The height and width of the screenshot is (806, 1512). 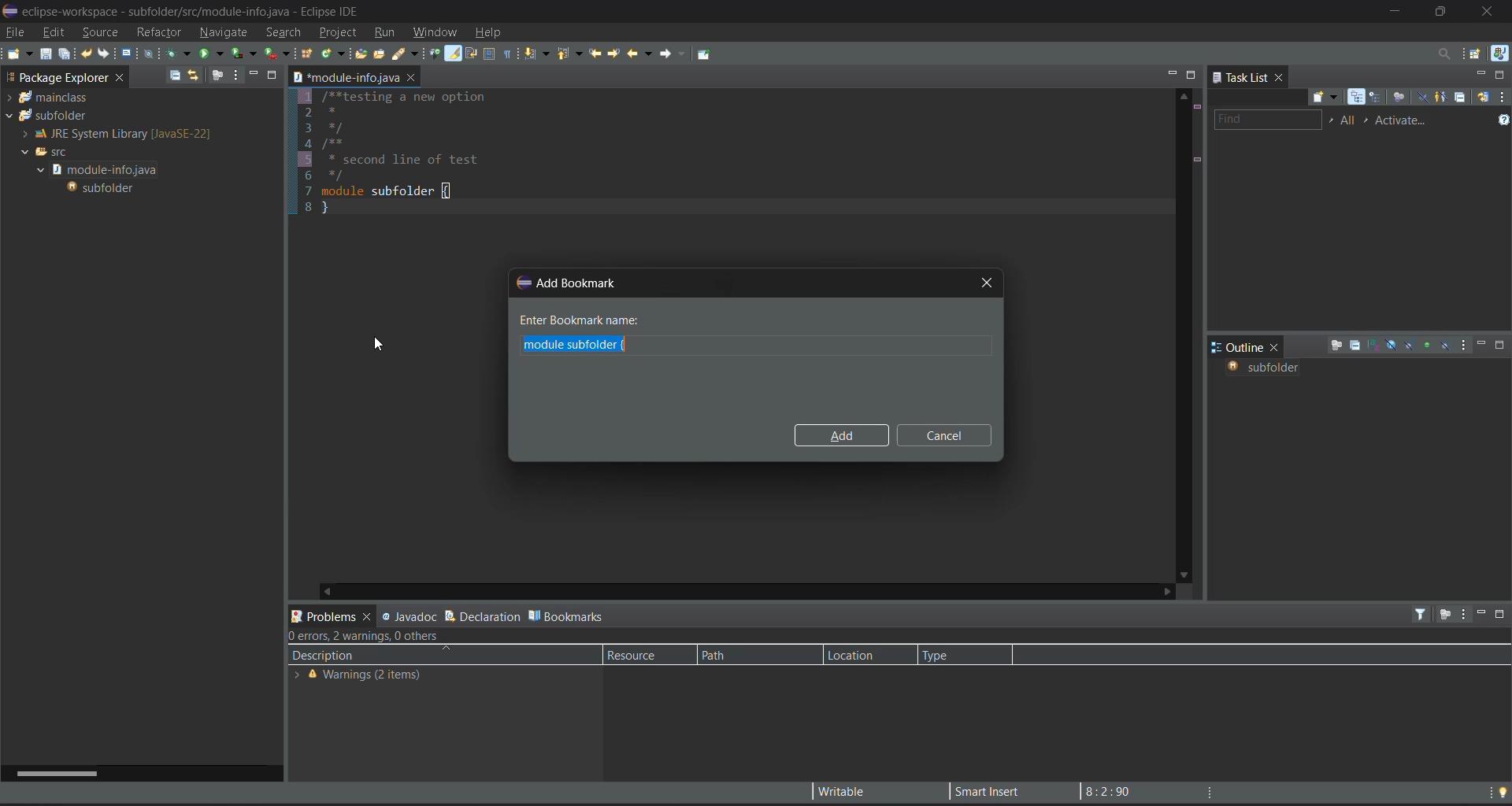 I want to click on Warning (2 items), so click(x=362, y=677).